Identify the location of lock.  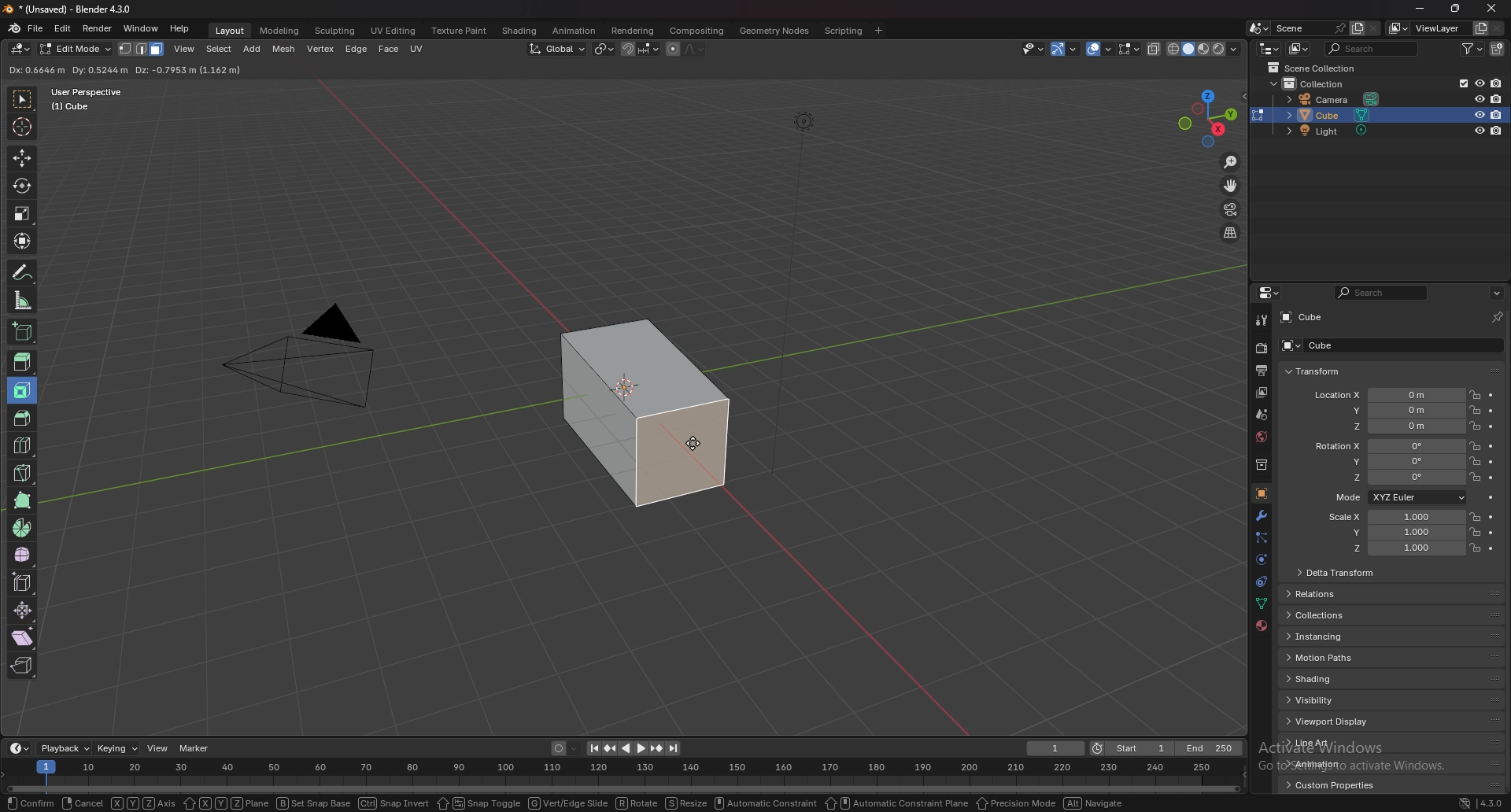
(1475, 426).